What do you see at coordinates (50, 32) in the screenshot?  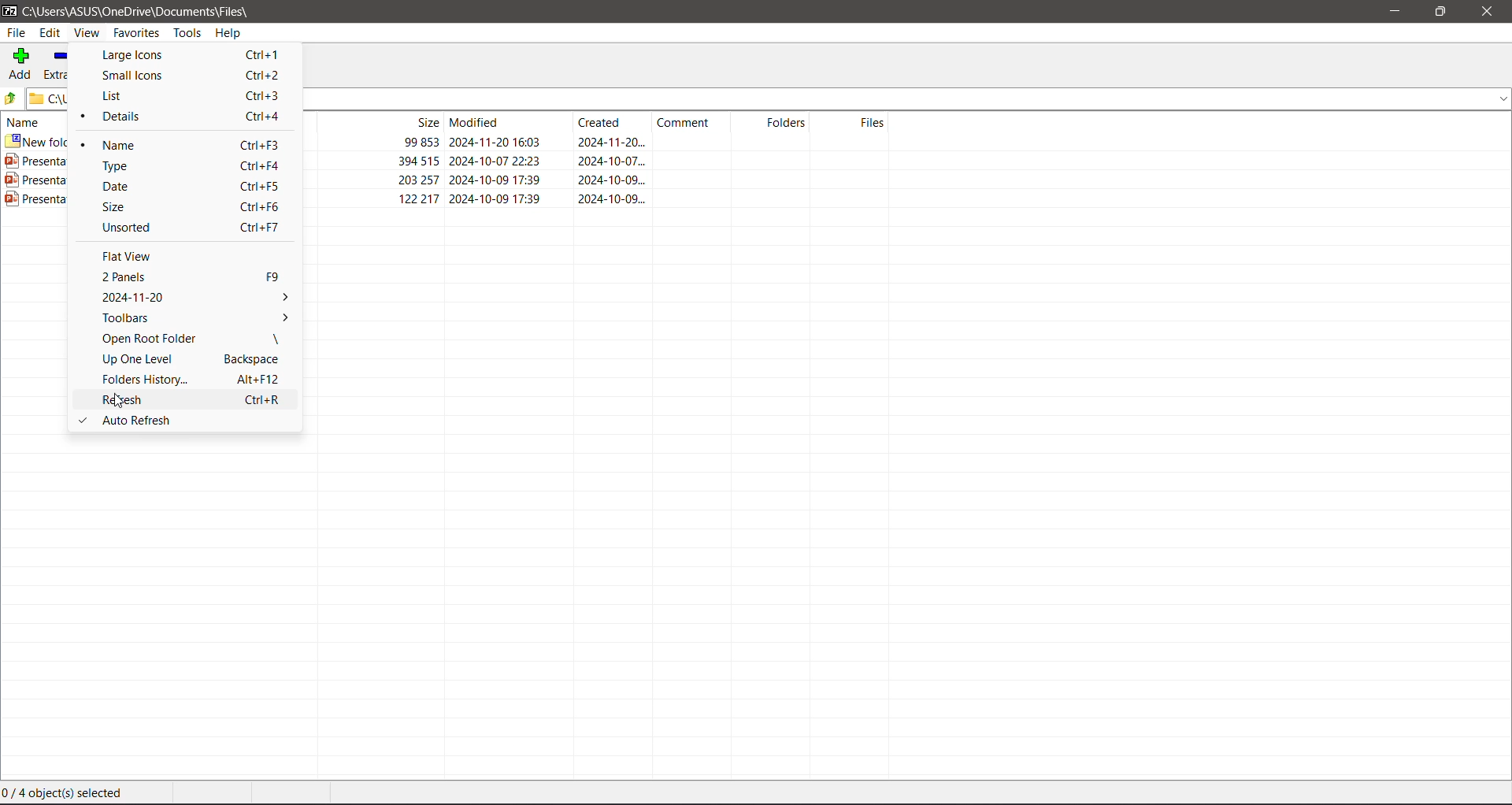 I see `Edit` at bounding box center [50, 32].